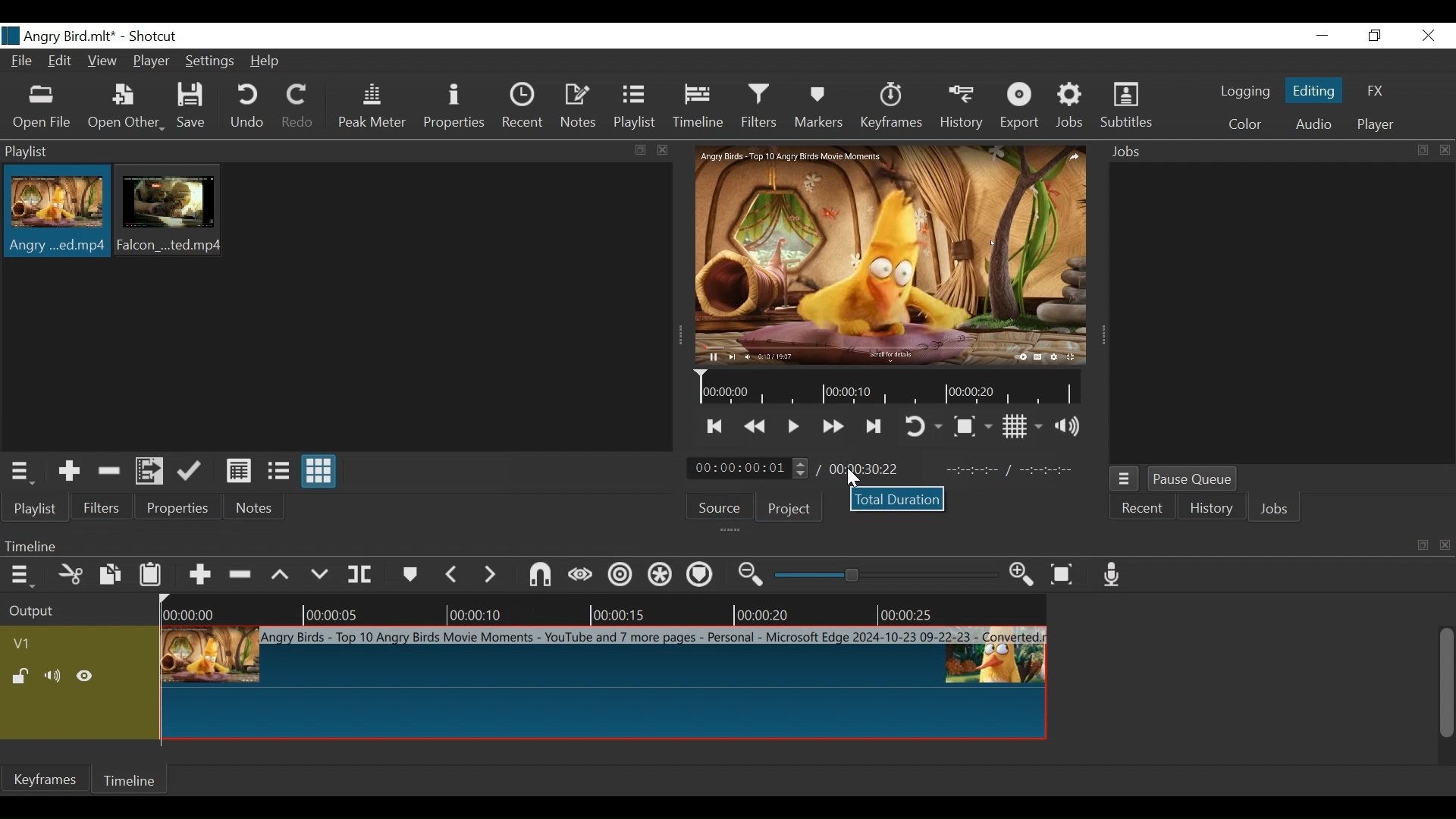 This screenshot has width=1456, height=819. Describe the element at coordinates (192, 472) in the screenshot. I see `Update` at that location.